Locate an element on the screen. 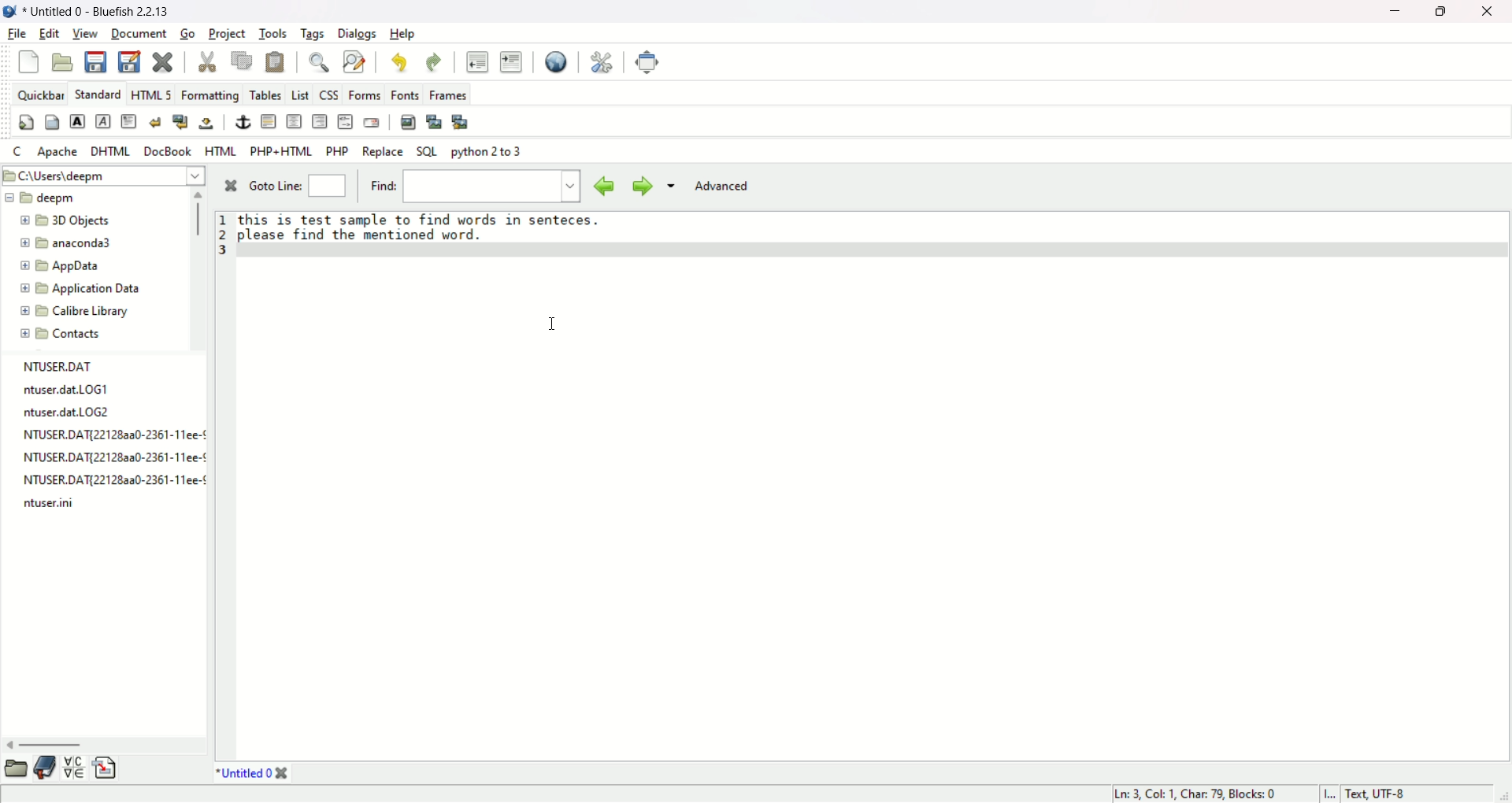 The height and width of the screenshot is (803, 1512). close current file is located at coordinates (162, 61).